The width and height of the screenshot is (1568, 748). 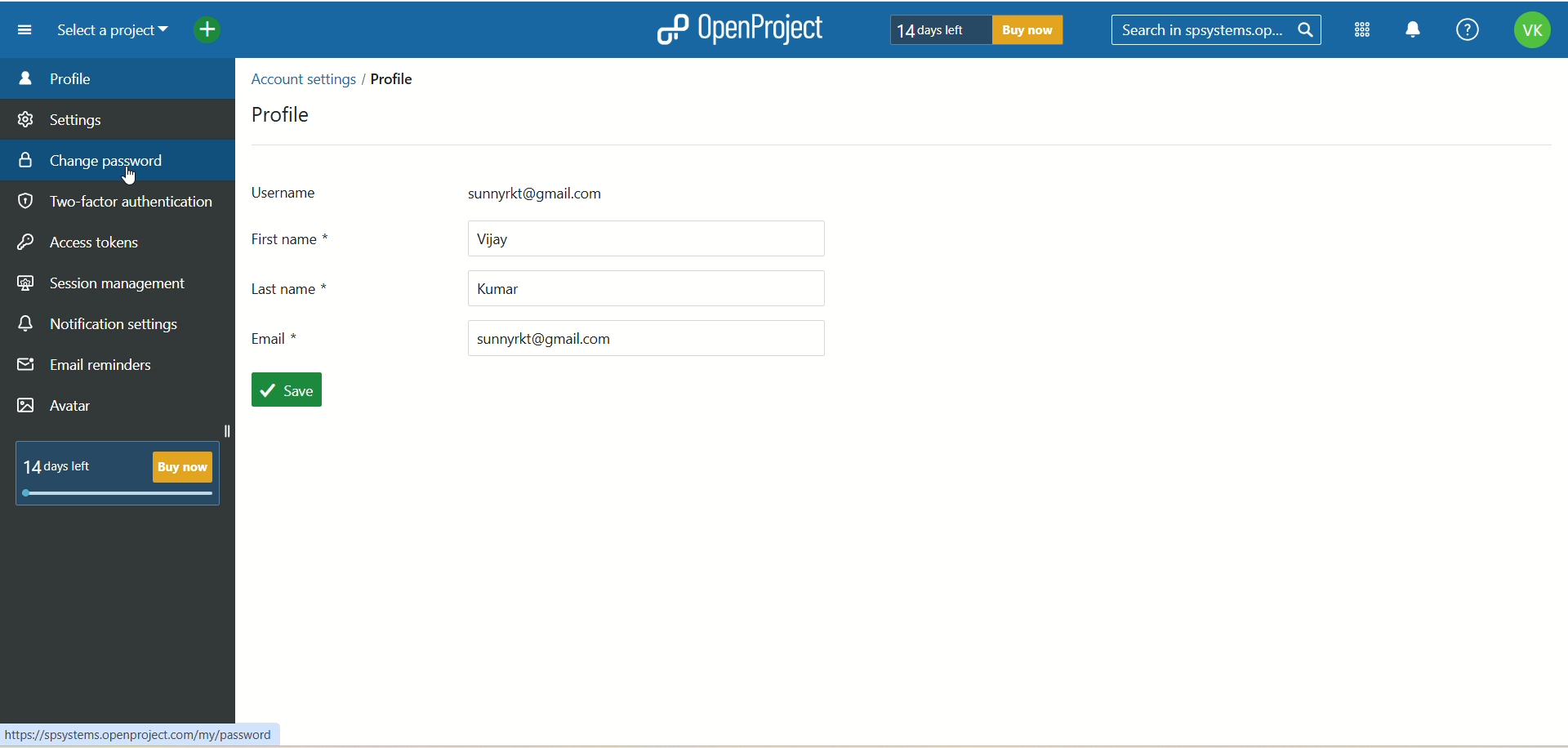 What do you see at coordinates (1414, 32) in the screenshot?
I see `notification` at bounding box center [1414, 32].